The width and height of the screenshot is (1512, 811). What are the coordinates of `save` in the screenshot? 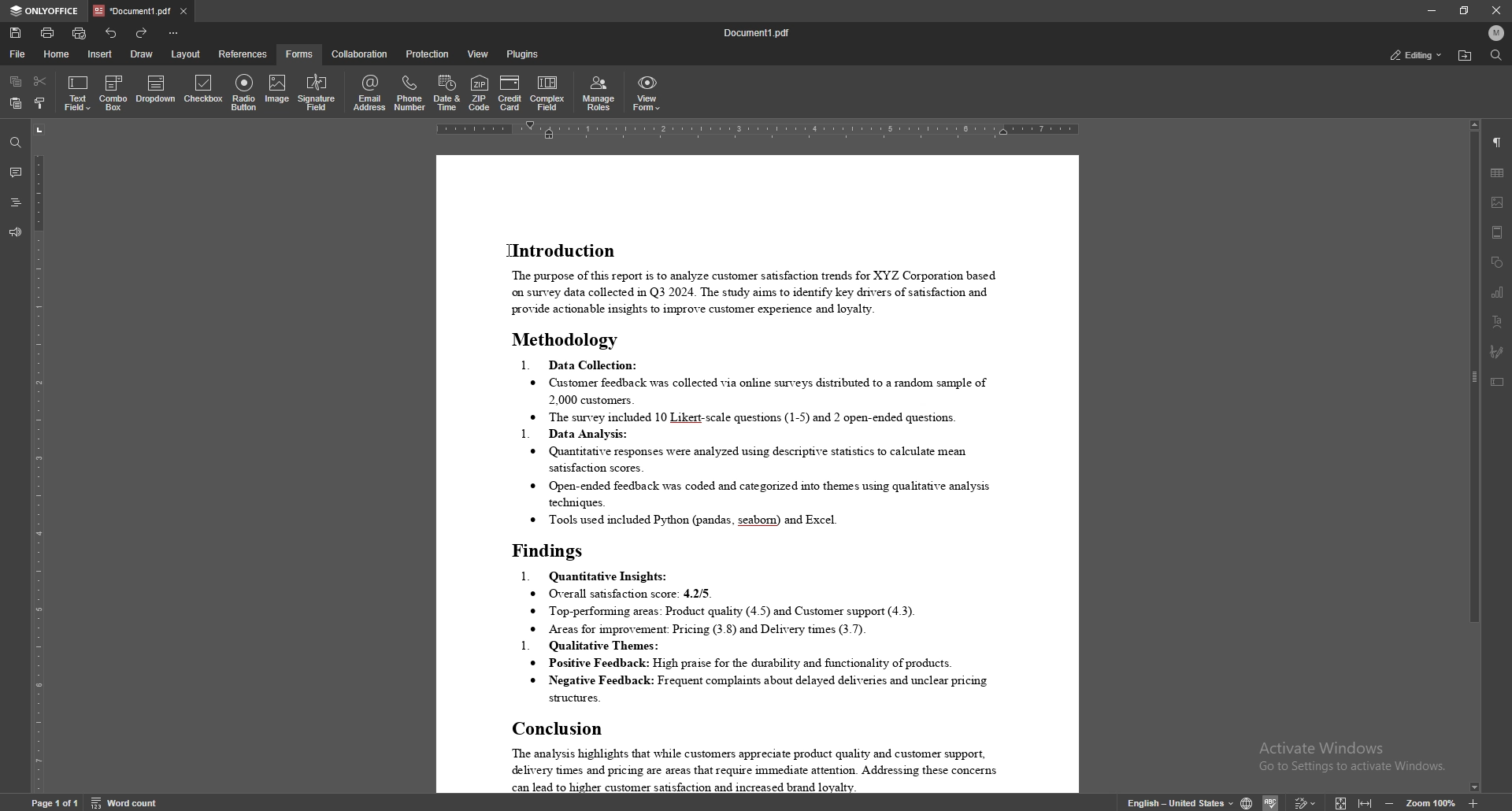 It's located at (16, 33).